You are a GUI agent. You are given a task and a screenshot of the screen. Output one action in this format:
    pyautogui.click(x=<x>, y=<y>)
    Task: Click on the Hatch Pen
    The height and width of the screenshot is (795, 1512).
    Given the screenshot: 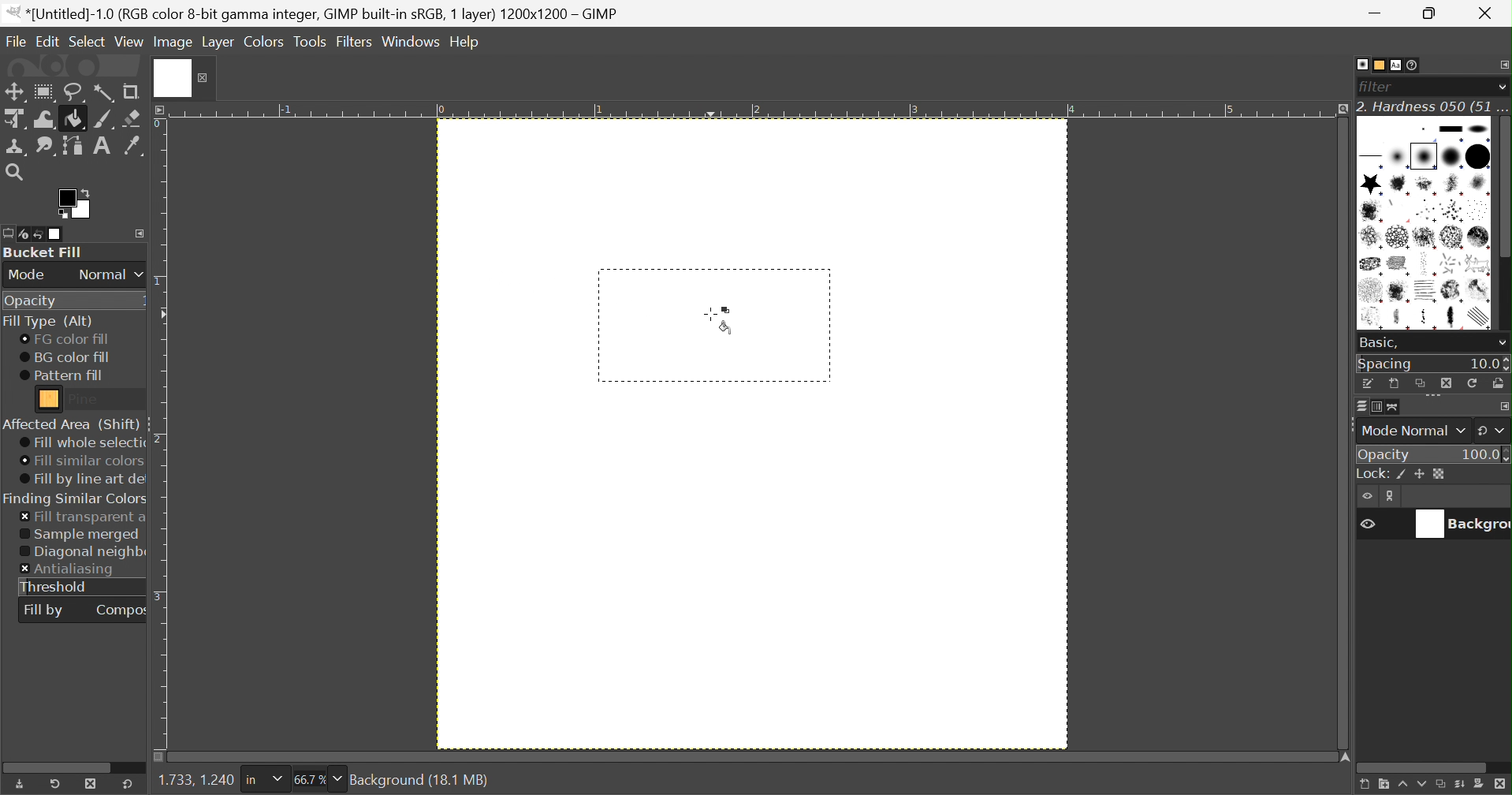 What is the action you would take?
    pyautogui.click(x=1427, y=291)
    